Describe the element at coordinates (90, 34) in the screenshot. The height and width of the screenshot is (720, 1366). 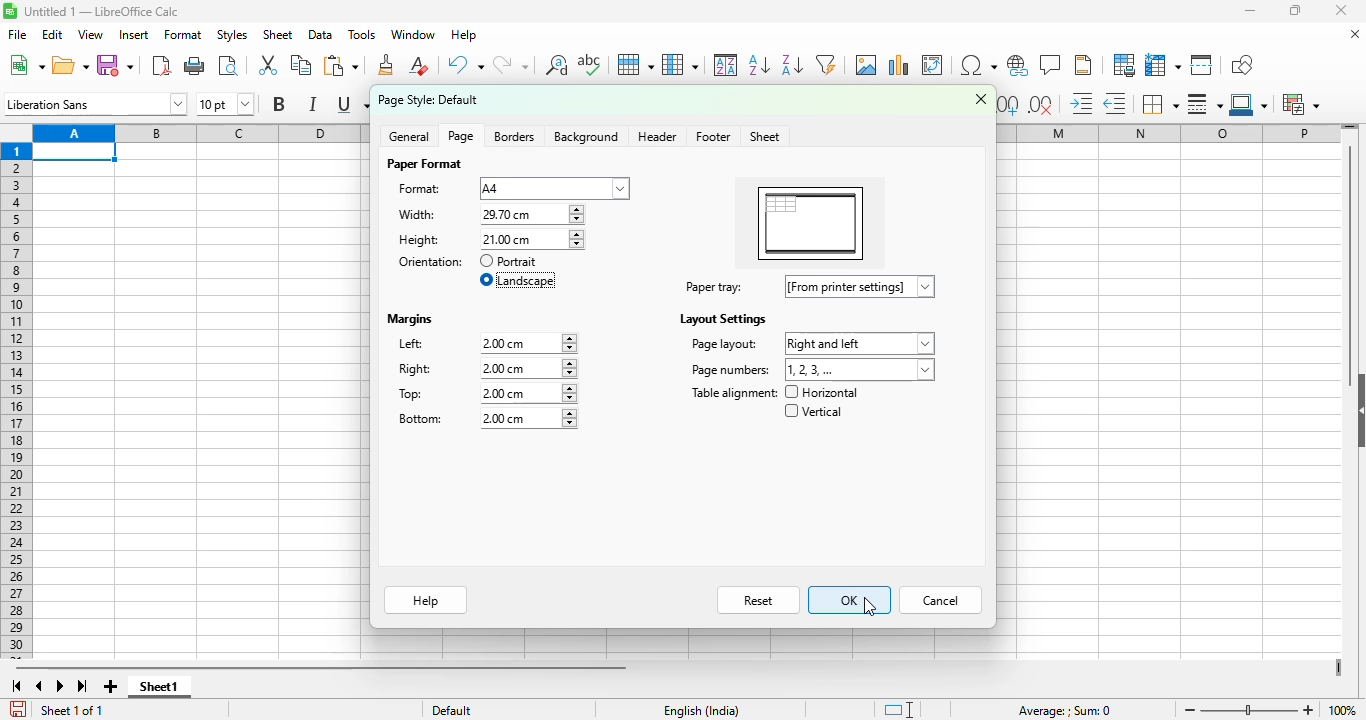
I see `view` at that location.